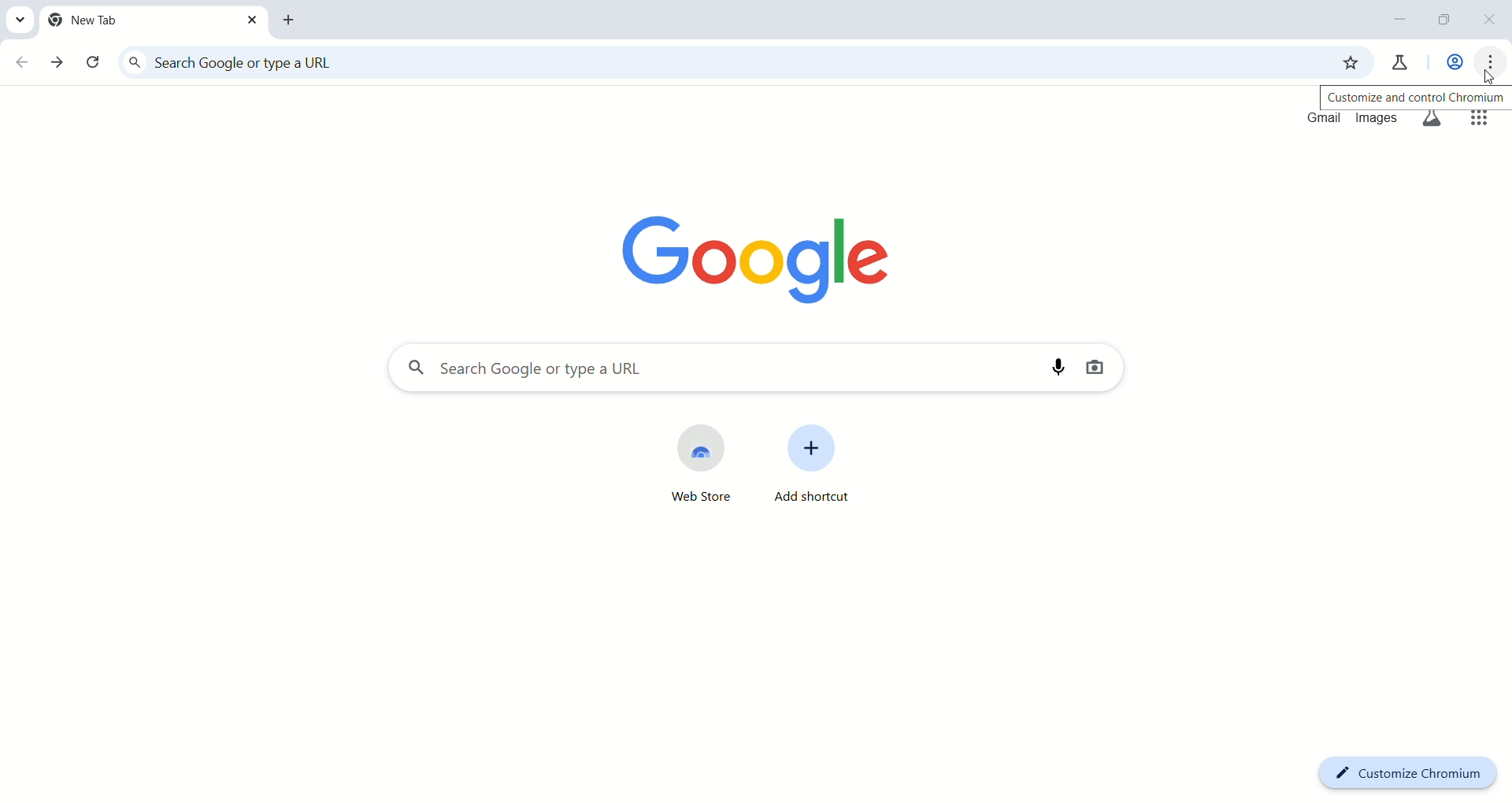  Describe the element at coordinates (1377, 120) in the screenshot. I see `images` at that location.